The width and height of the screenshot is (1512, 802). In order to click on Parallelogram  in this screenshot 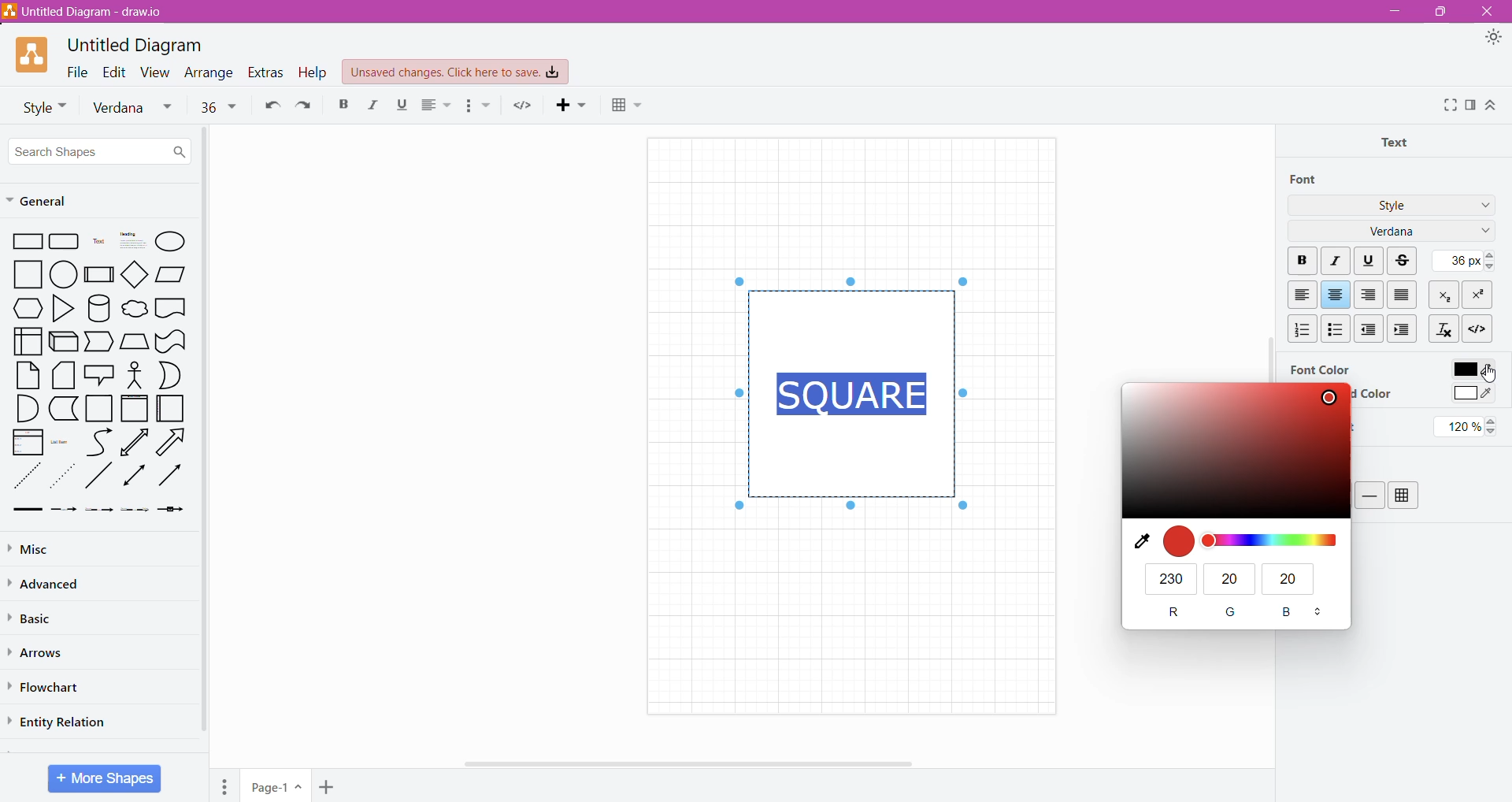, I will do `click(171, 273)`.